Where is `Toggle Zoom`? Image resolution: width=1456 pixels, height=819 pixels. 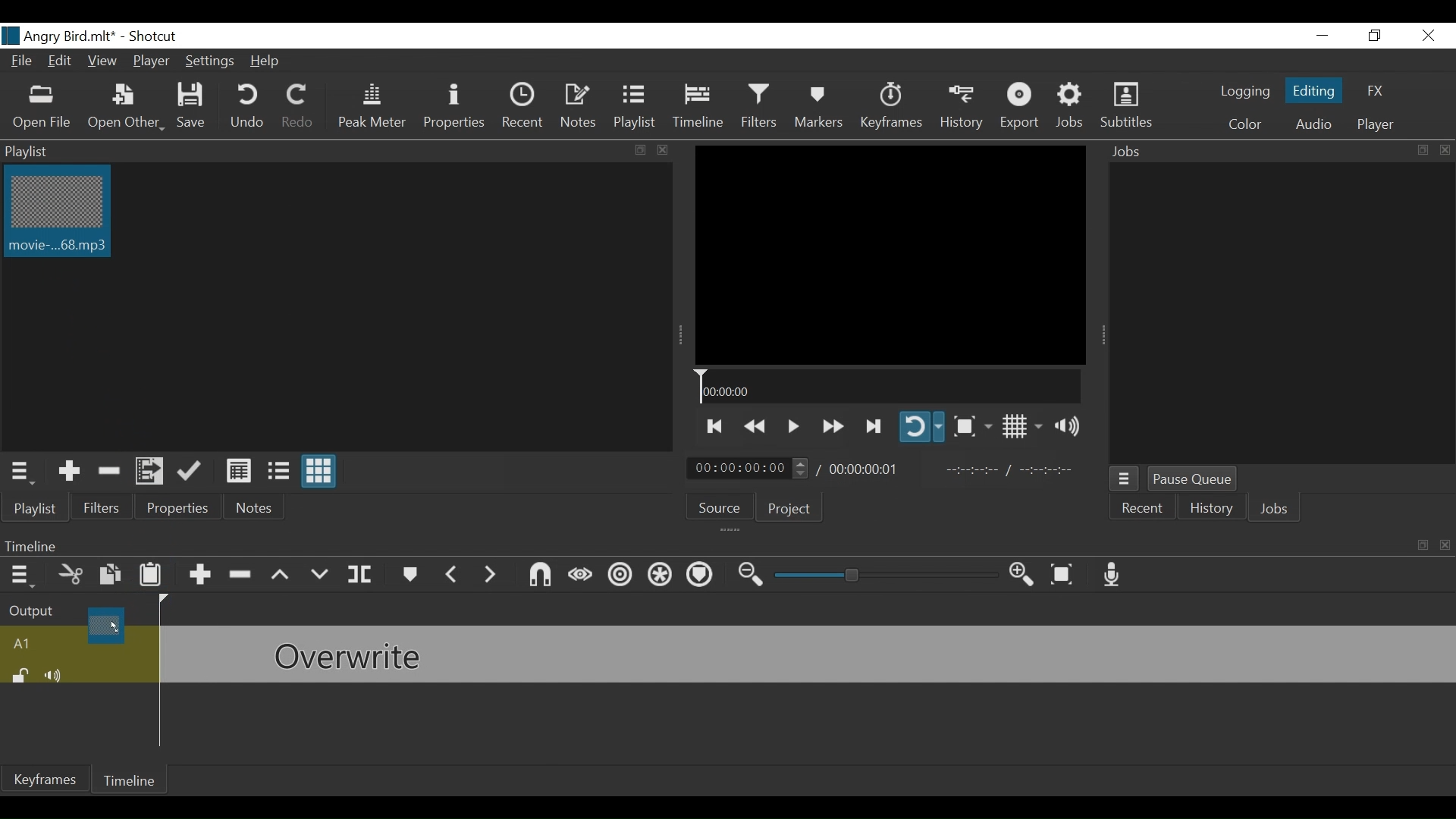 Toggle Zoom is located at coordinates (972, 425).